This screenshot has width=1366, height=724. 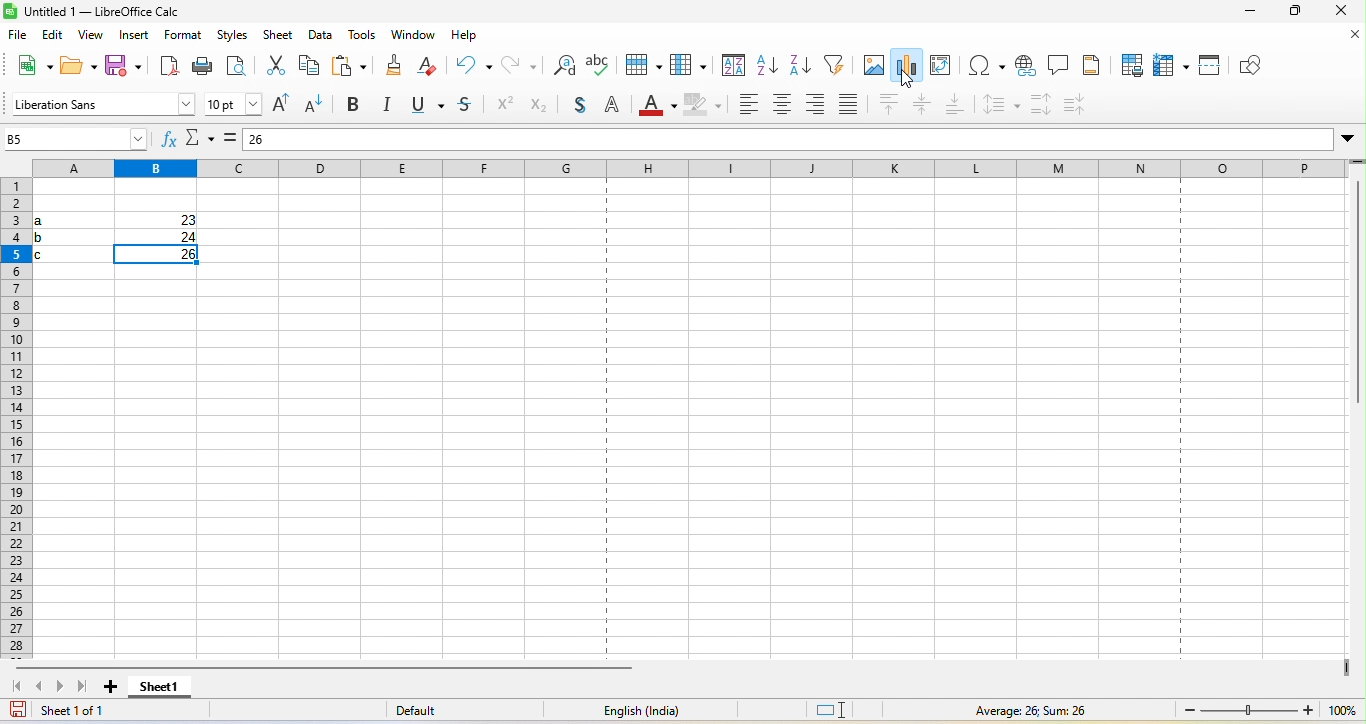 I want to click on format, so click(x=186, y=36).